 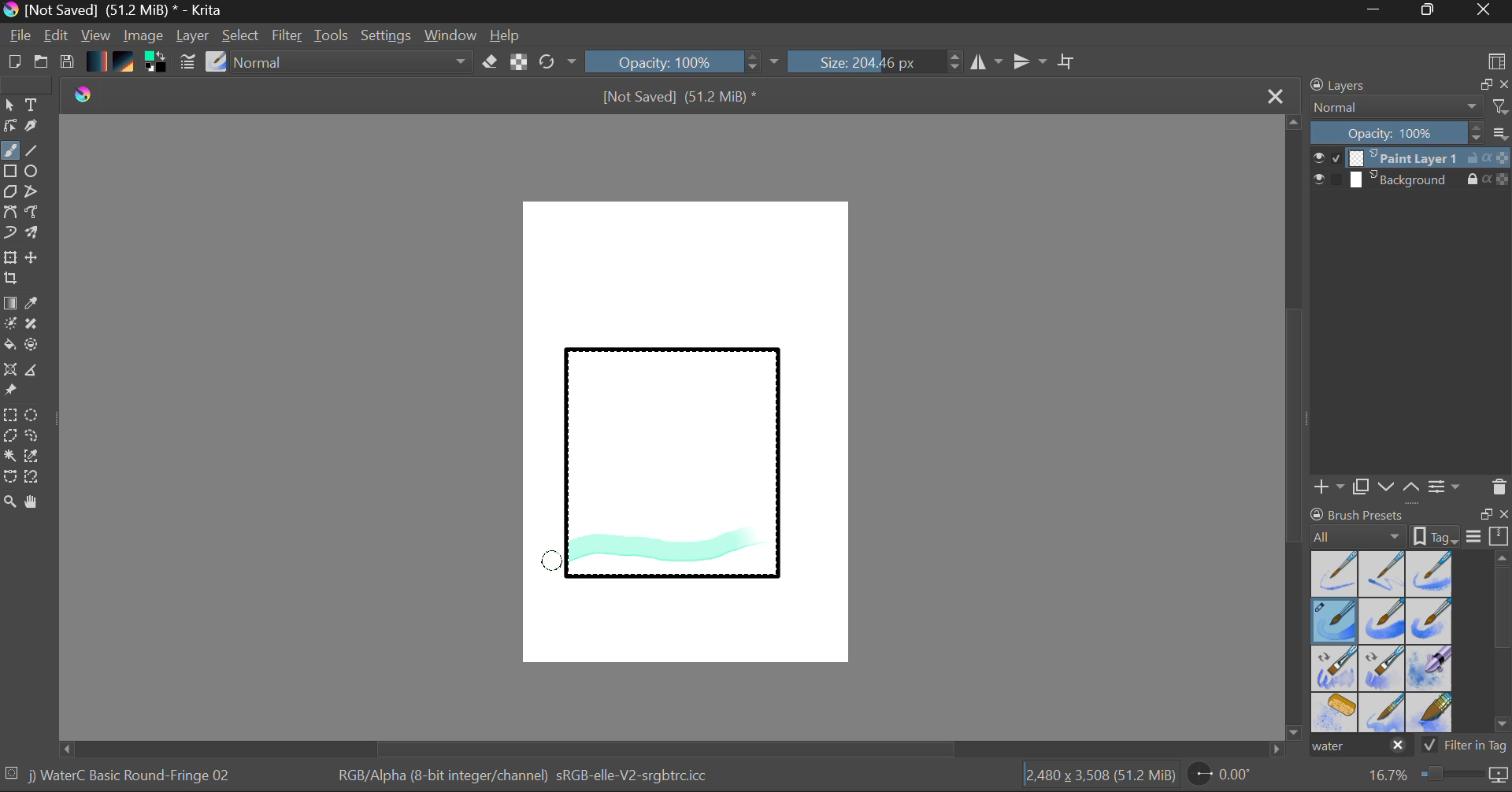 I want to click on Choose Workspace, so click(x=1496, y=60).